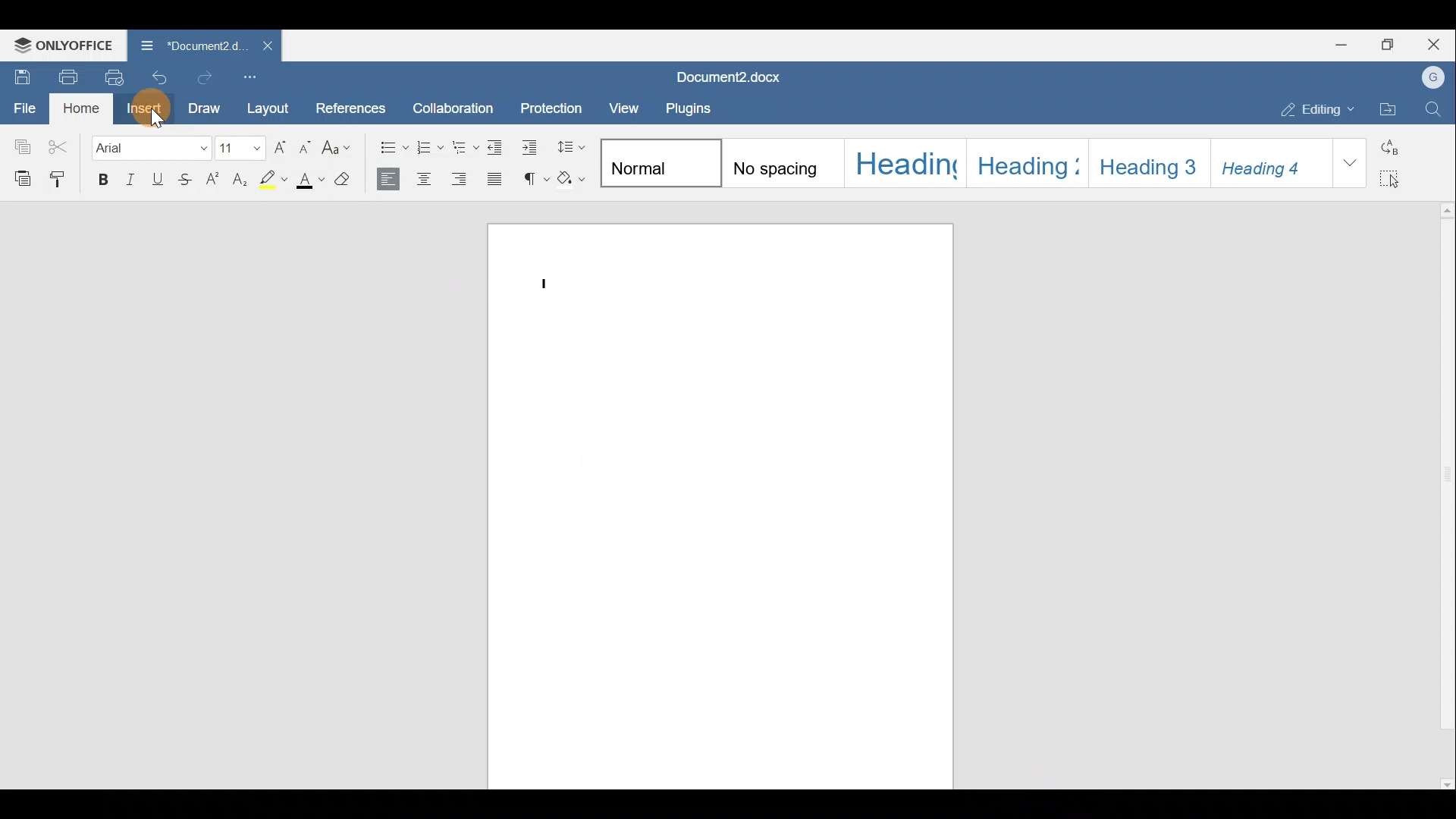 This screenshot has height=819, width=1456. Describe the element at coordinates (1396, 177) in the screenshot. I see `Select all` at that location.